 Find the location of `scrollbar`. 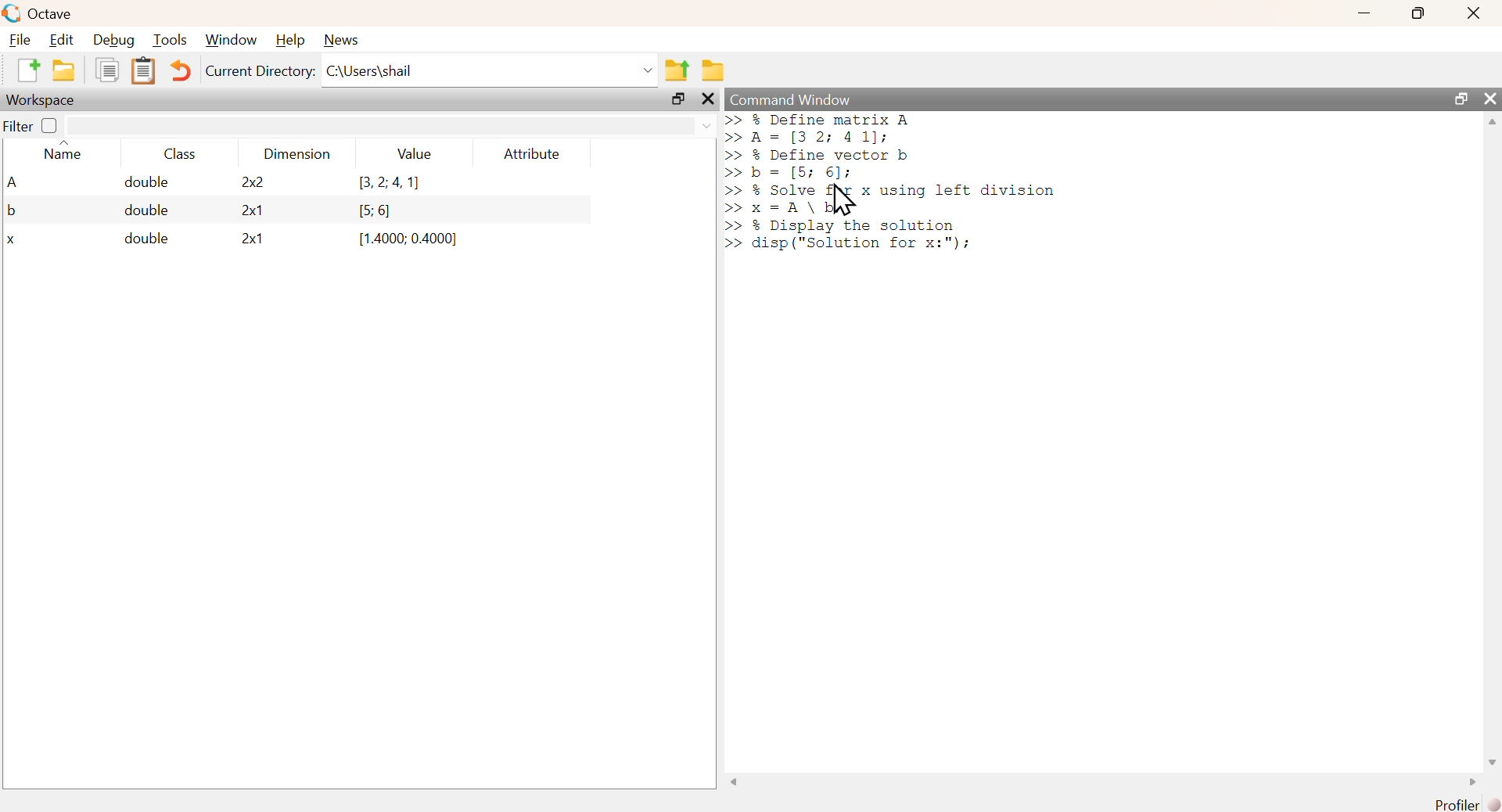

scrollbar is located at coordinates (1102, 784).